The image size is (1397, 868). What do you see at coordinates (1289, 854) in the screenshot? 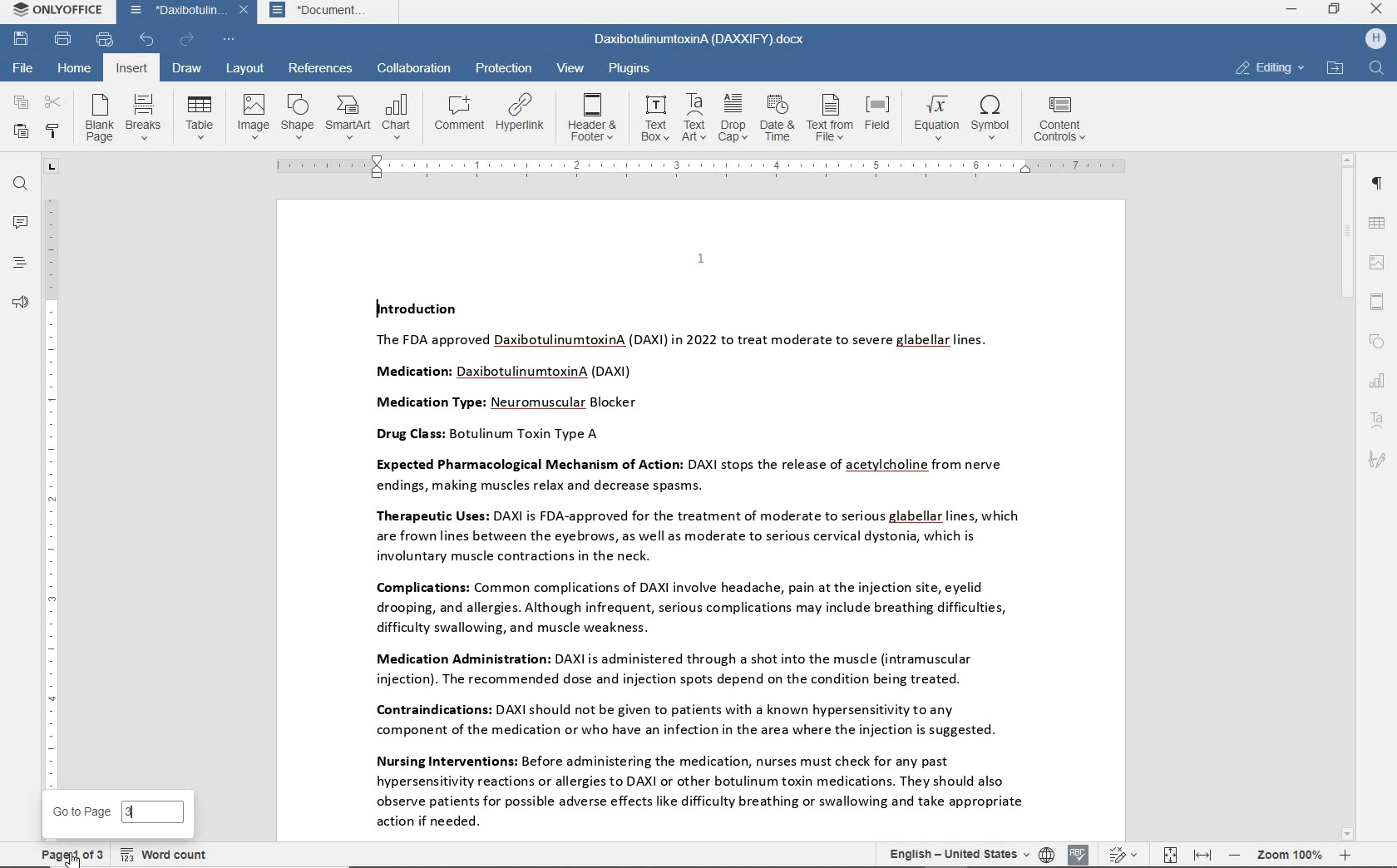
I see `zoom 100%` at bounding box center [1289, 854].